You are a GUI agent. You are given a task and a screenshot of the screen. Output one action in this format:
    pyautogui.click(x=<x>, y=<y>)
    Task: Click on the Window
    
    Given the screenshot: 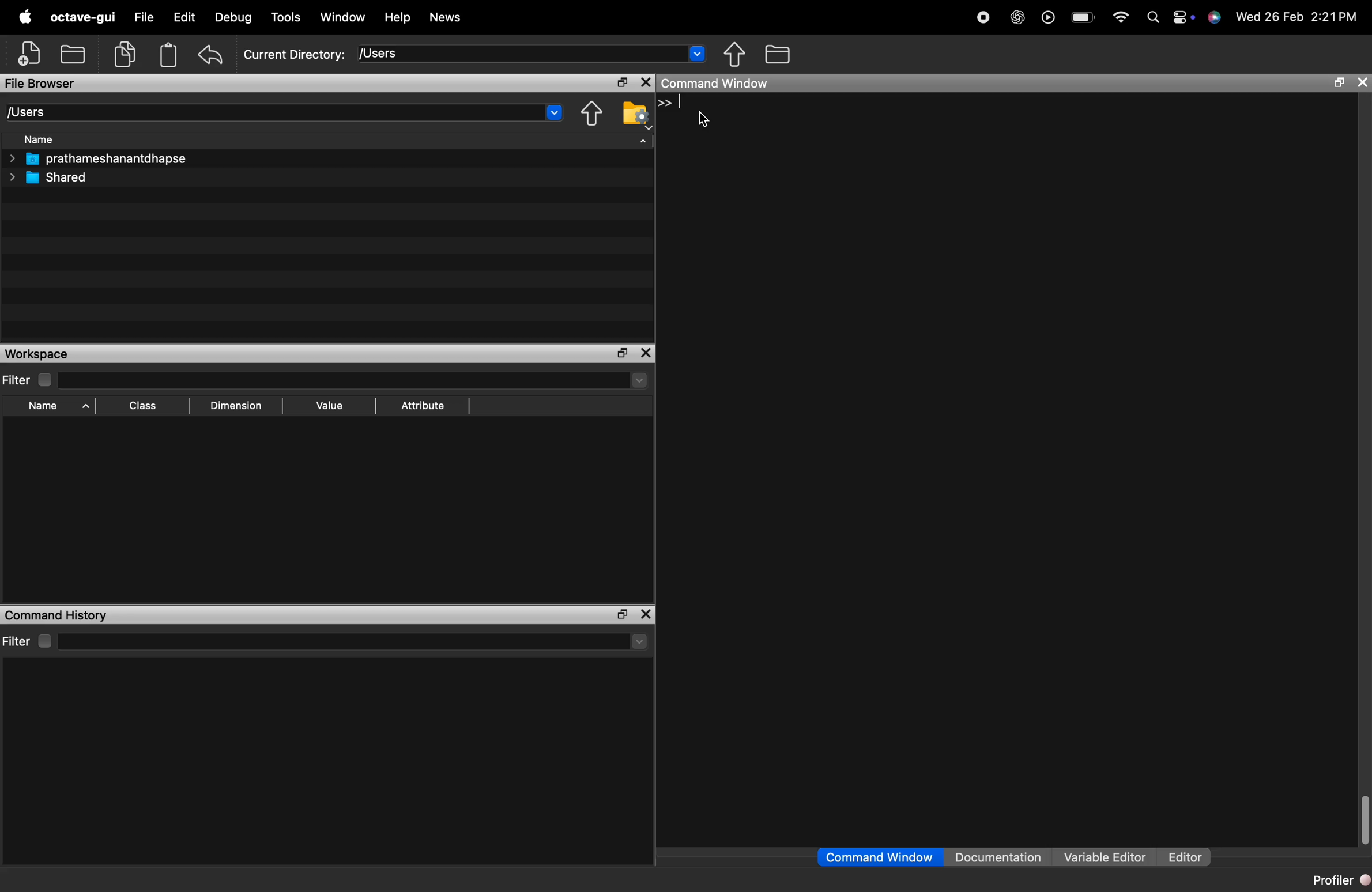 What is the action you would take?
    pyautogui.click(x=345, y=19)
    